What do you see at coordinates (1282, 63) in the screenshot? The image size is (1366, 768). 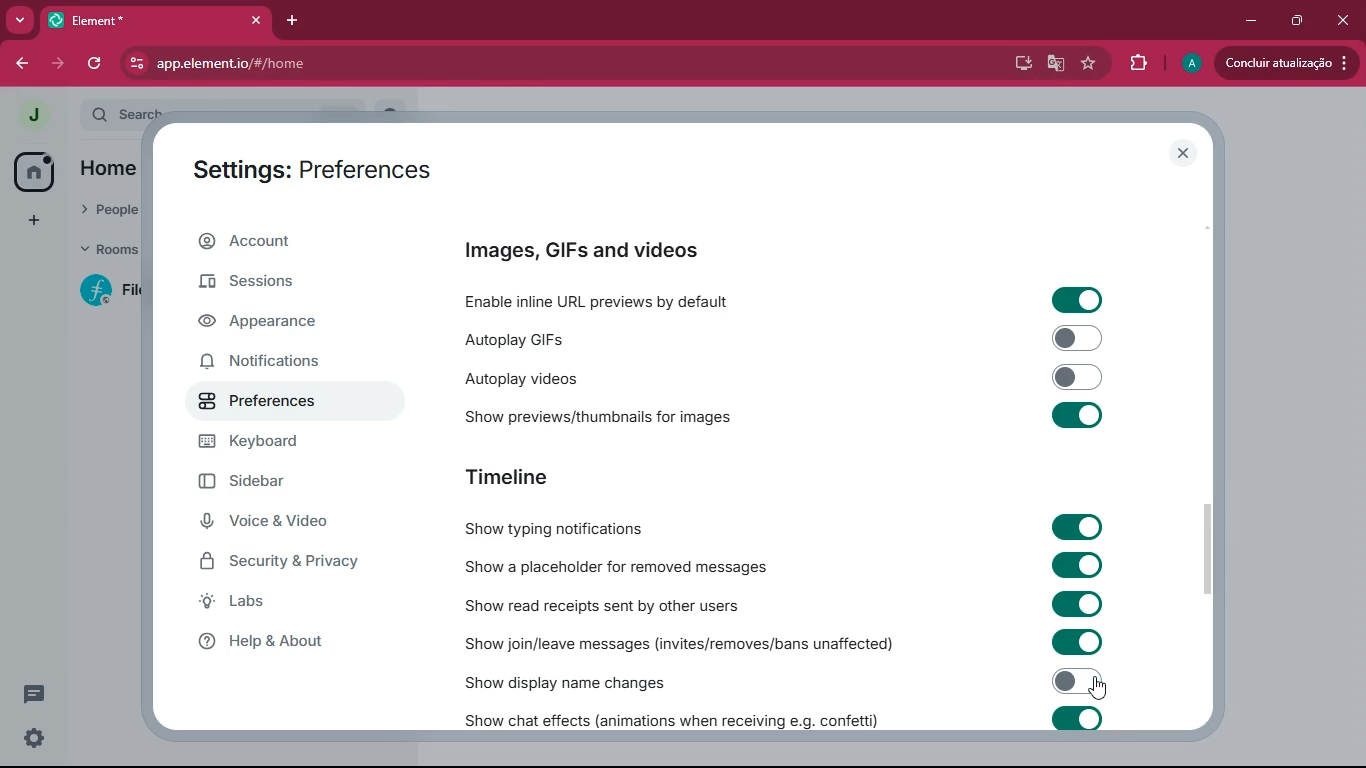 I see `update` at bounding box center [1282, 63].